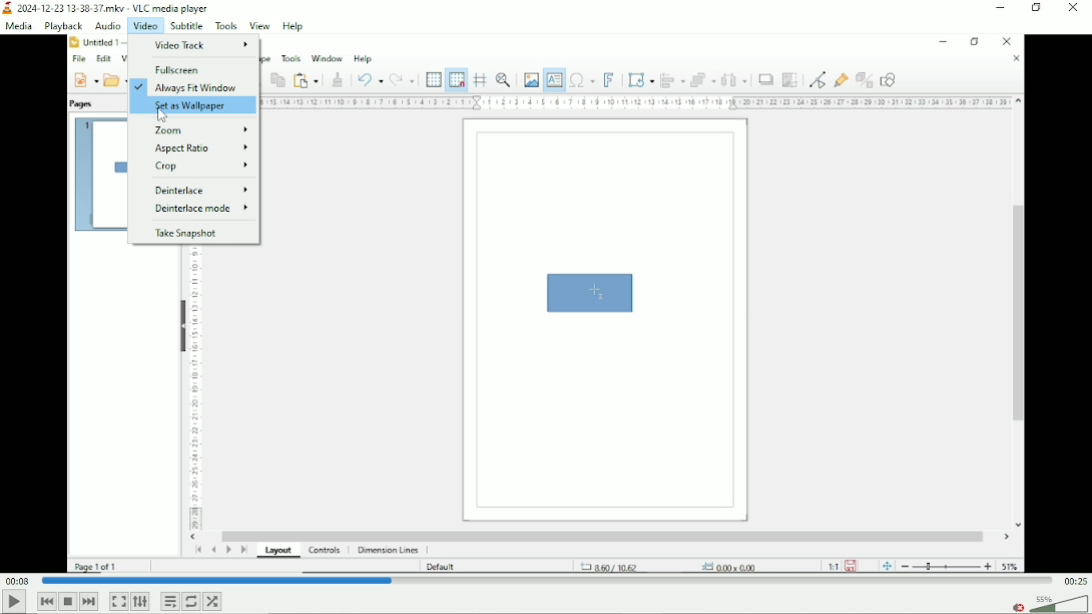  Describe the element at coordinates (1049, 604) in the screenshot. I see `Volume` at that location.